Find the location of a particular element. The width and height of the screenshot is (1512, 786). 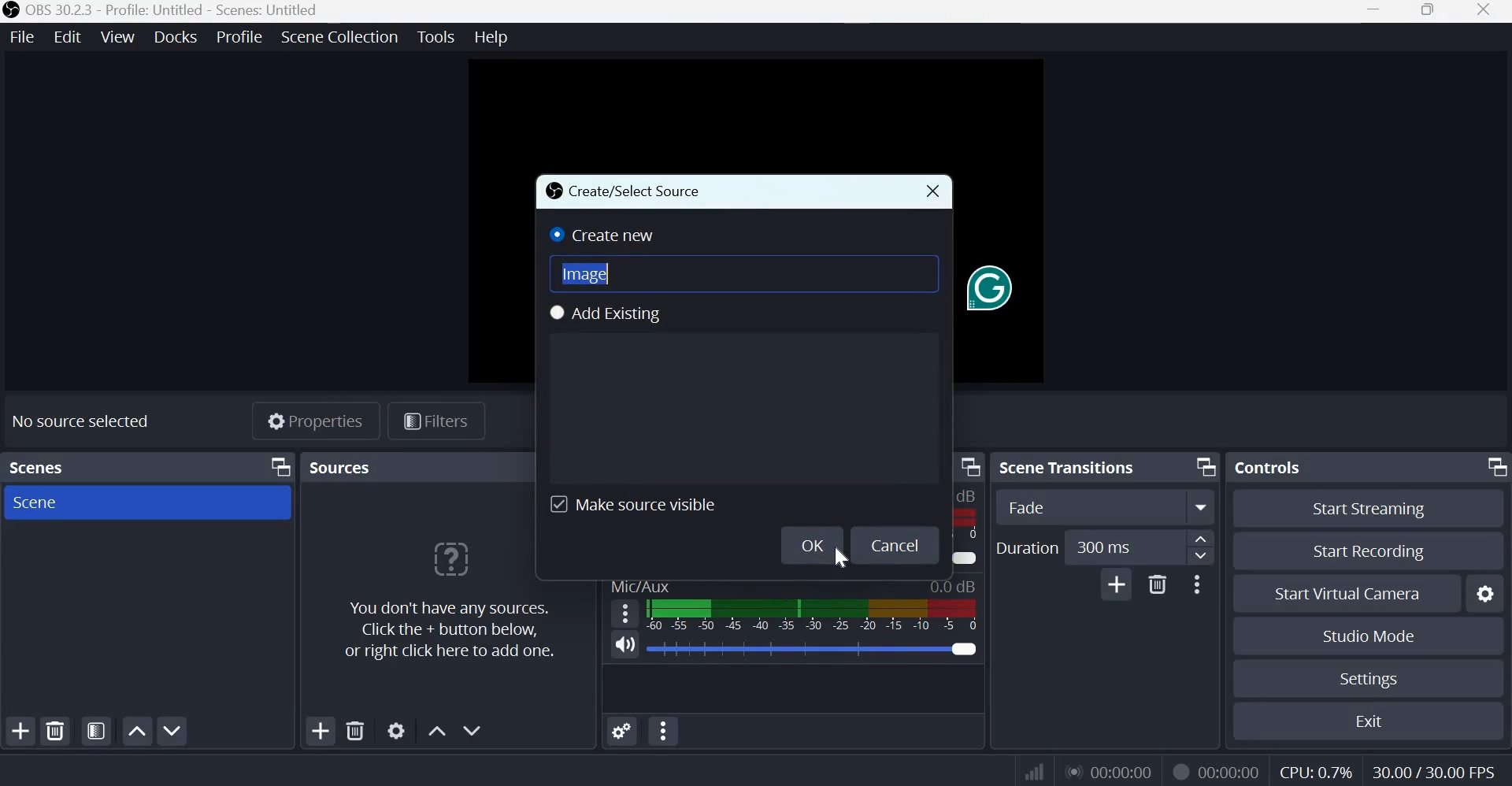

Controls is located at coordinates (1268, 466).